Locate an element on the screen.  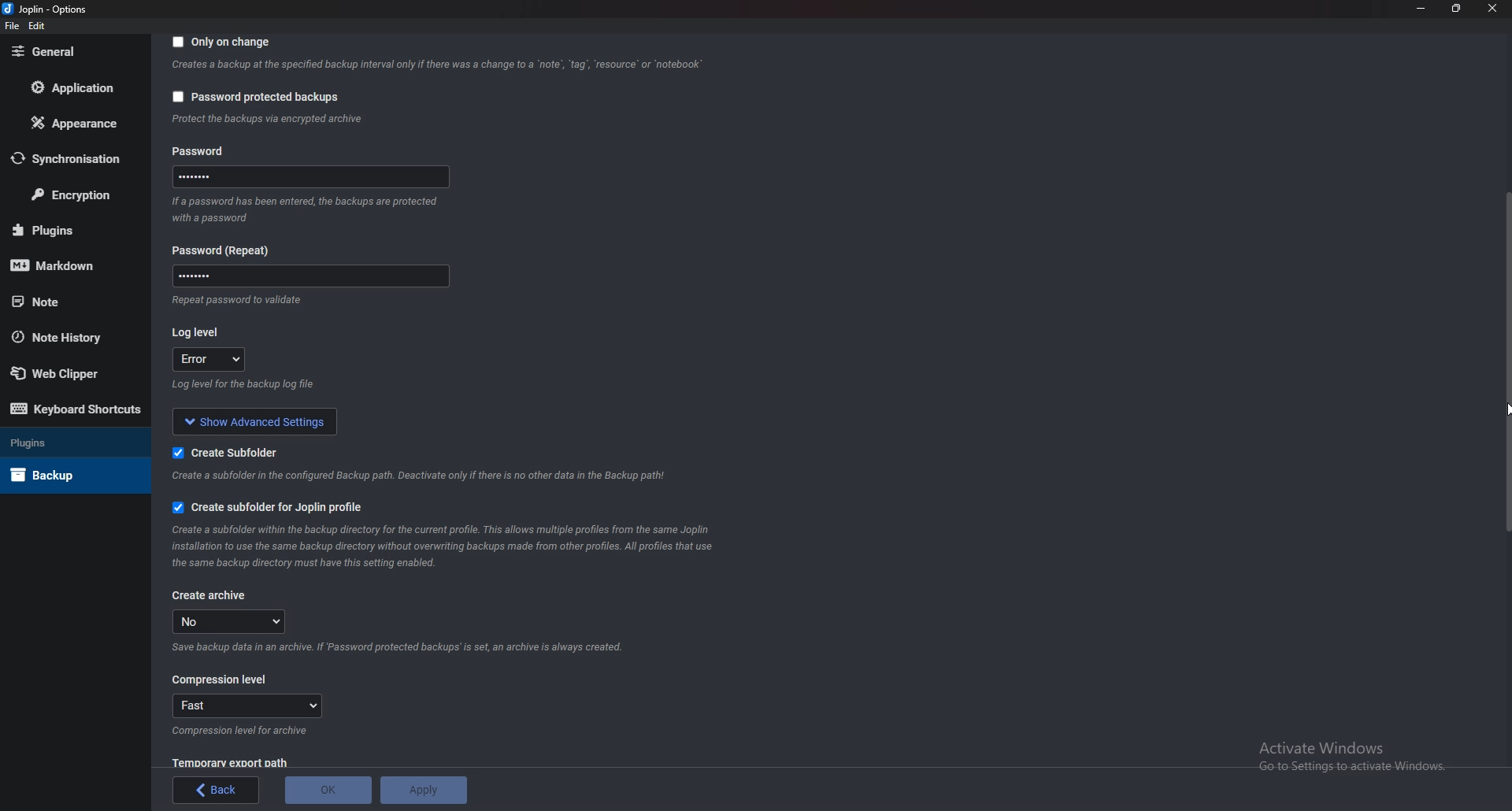
error is located at coordinates (211, 360).